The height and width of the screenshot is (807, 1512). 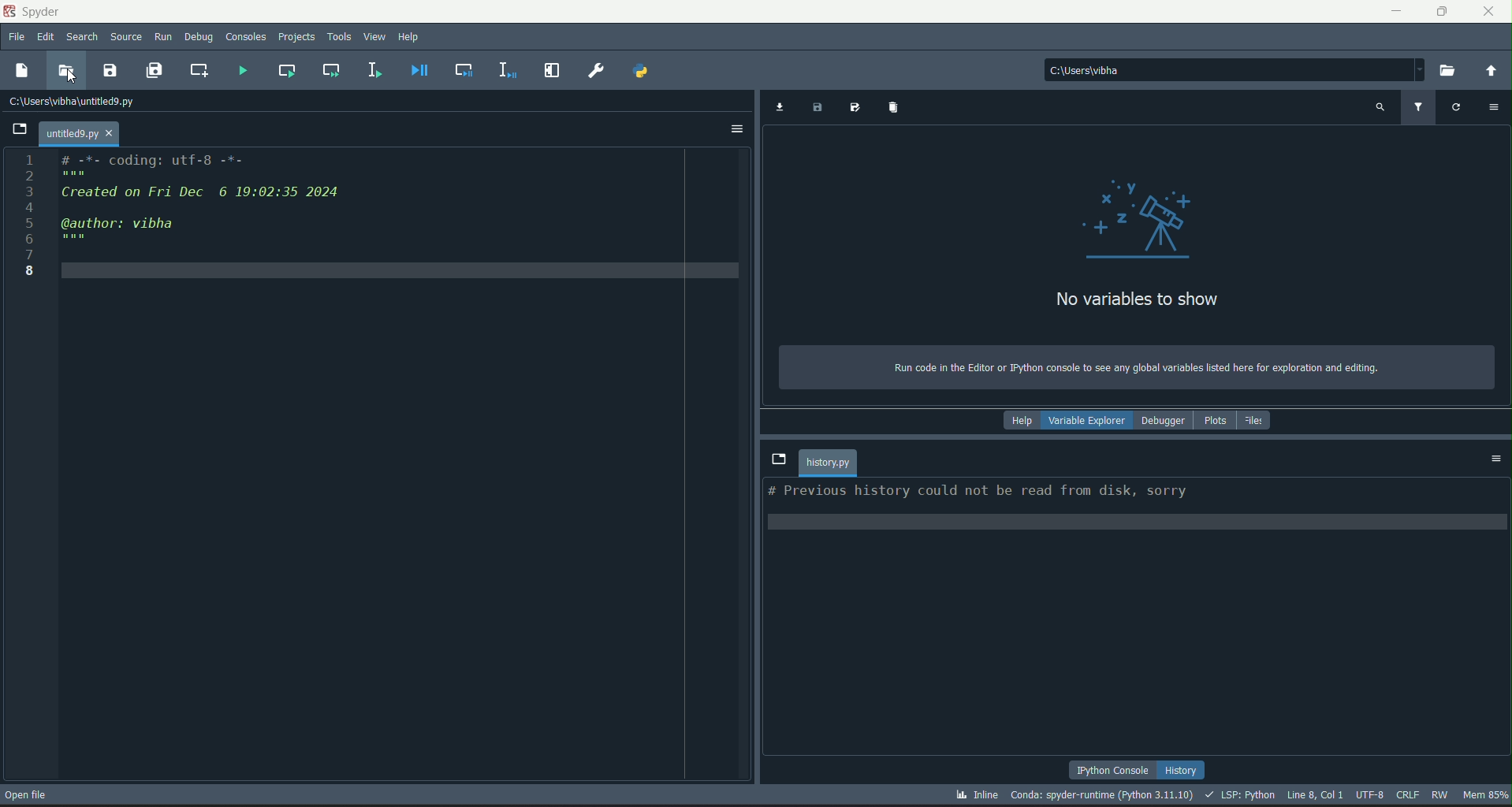 I want to click on import data, so click(x=779, y=109).